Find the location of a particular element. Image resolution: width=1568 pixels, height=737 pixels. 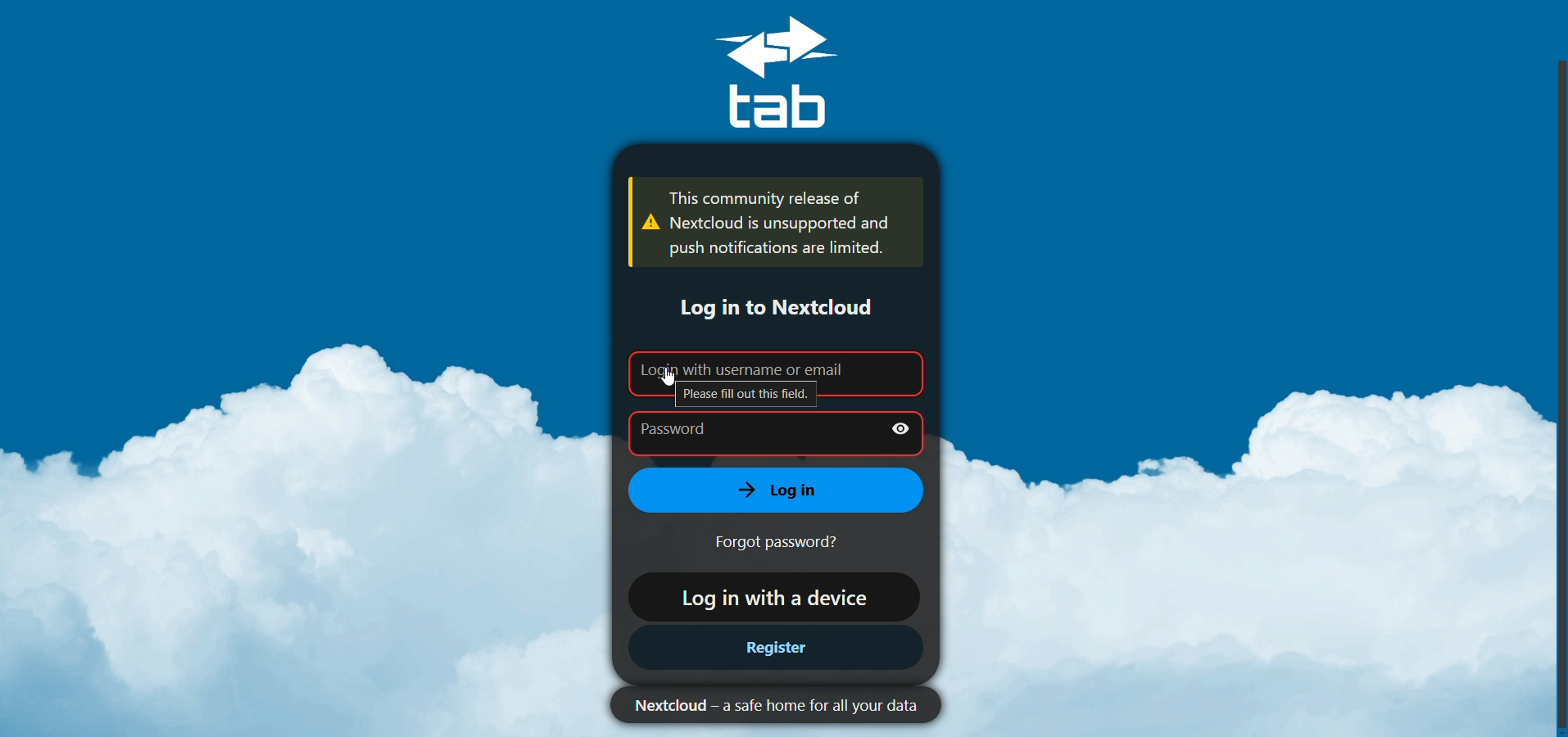

This community release of Nextcloud is unsupported and push notifications are limited. (Warning message) is located at coordinates (769, 225).